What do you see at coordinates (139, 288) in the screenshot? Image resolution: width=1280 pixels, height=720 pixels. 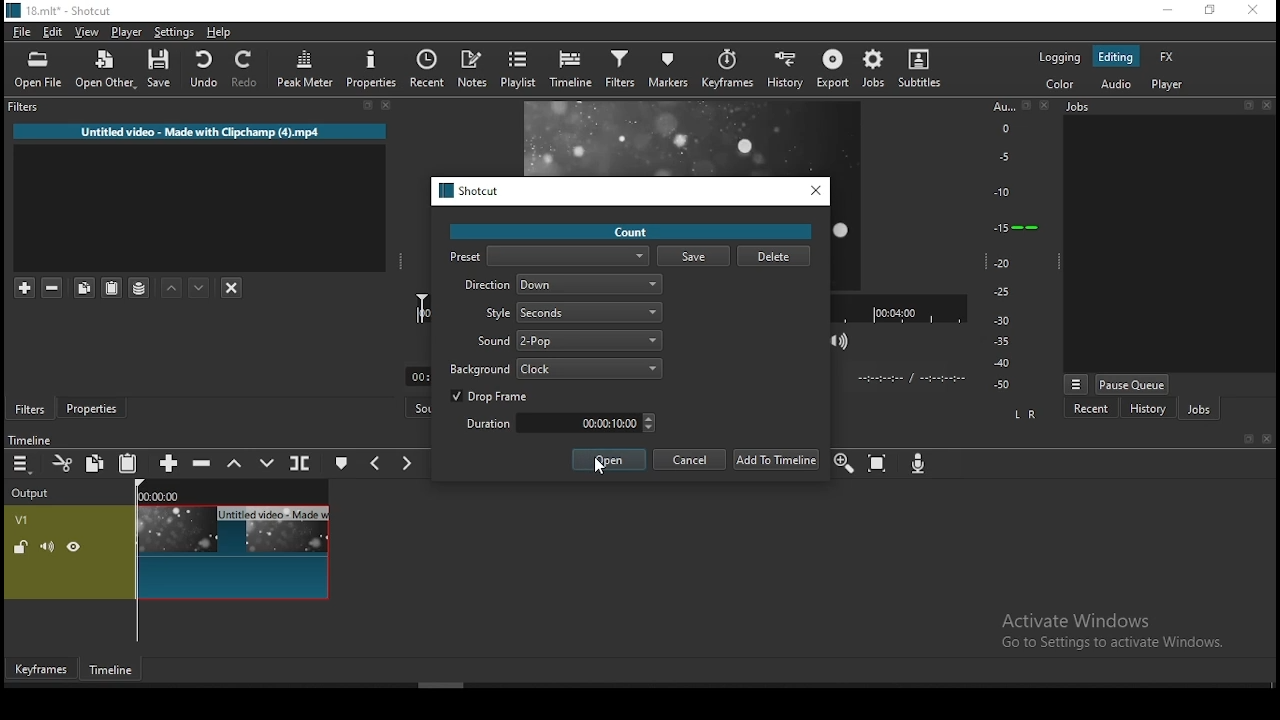 I see `save filter sets` at bounding box center [139, 288].